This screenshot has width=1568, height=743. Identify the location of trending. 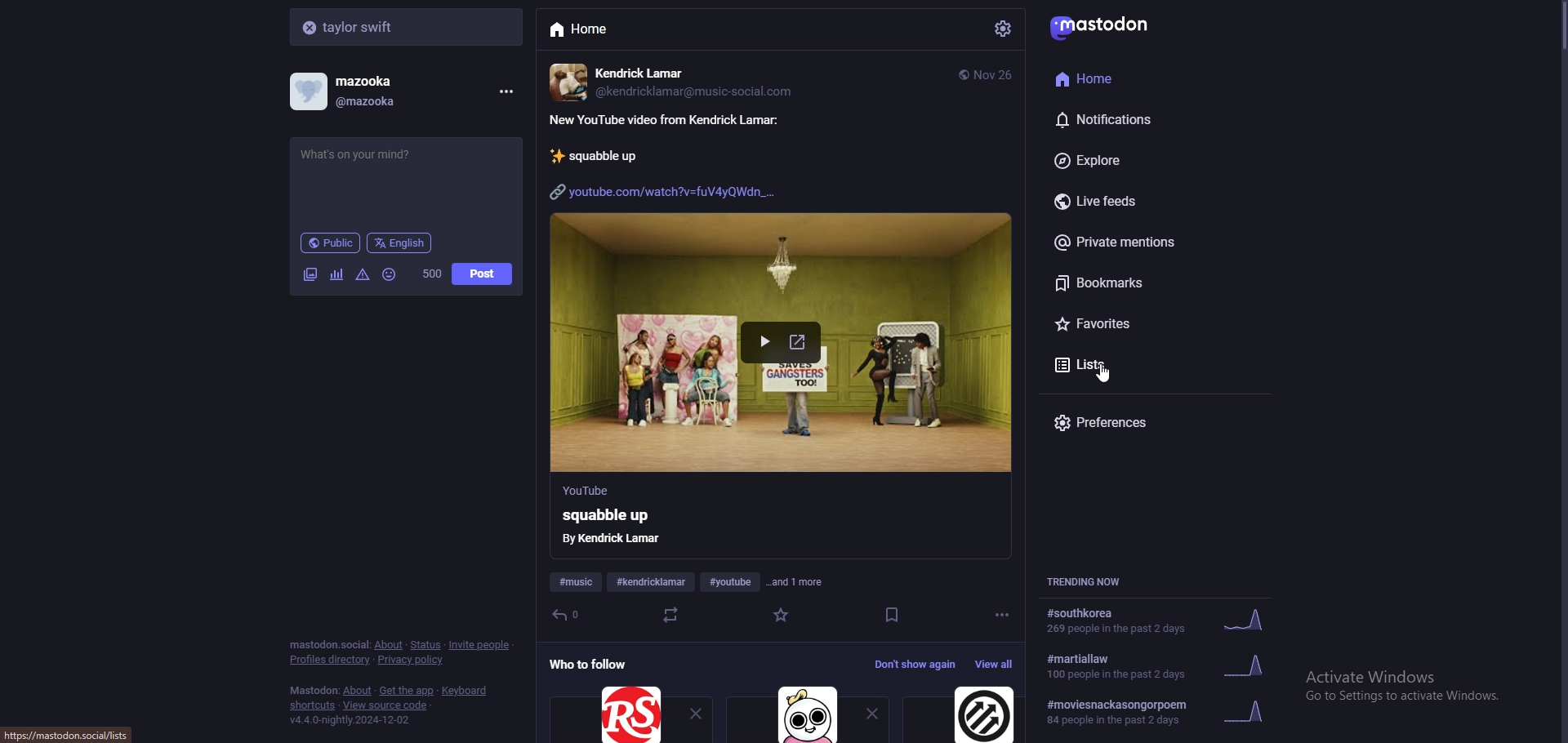
(1157, 621).